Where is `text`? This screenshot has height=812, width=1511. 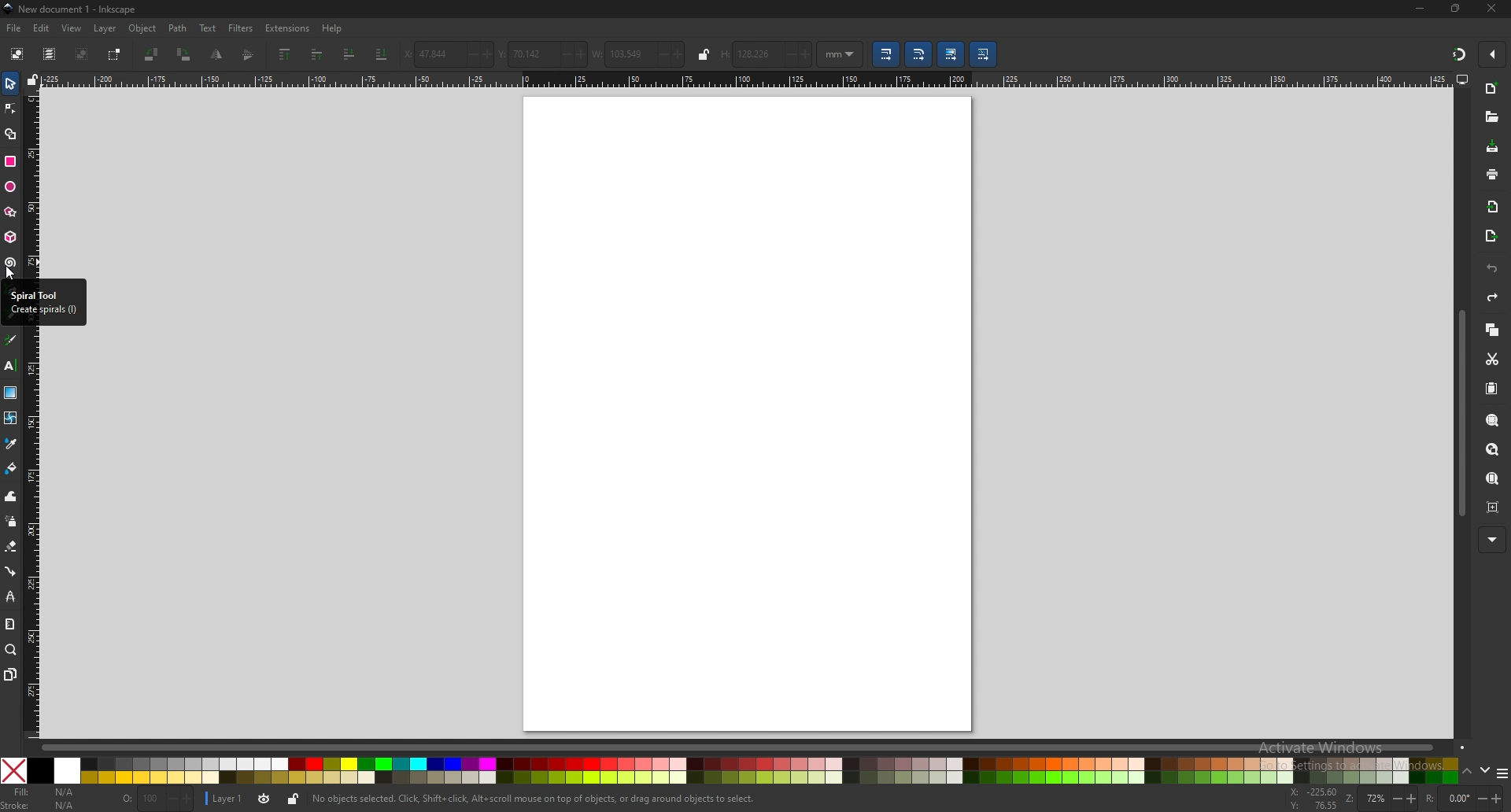
text is located at coordinates (207, 28).